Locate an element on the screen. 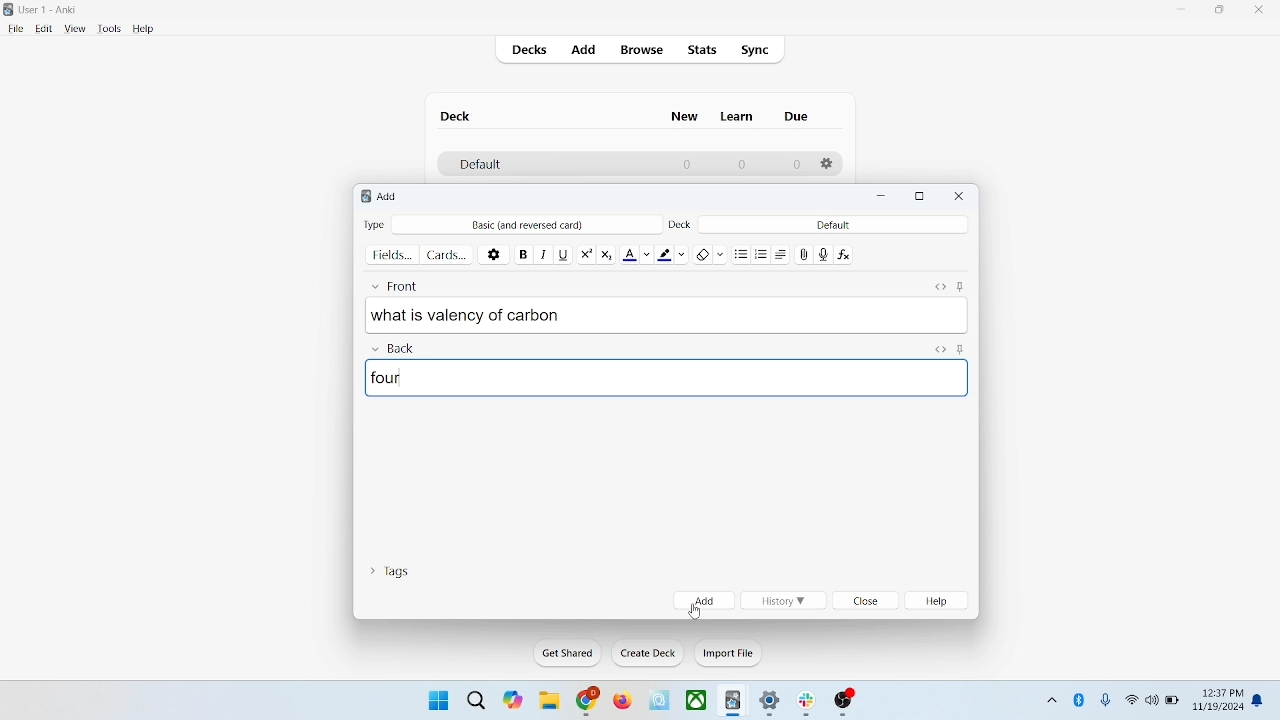 The width and height of the screenshot is (1280, 720). edit is located at coordinates (45, 28).